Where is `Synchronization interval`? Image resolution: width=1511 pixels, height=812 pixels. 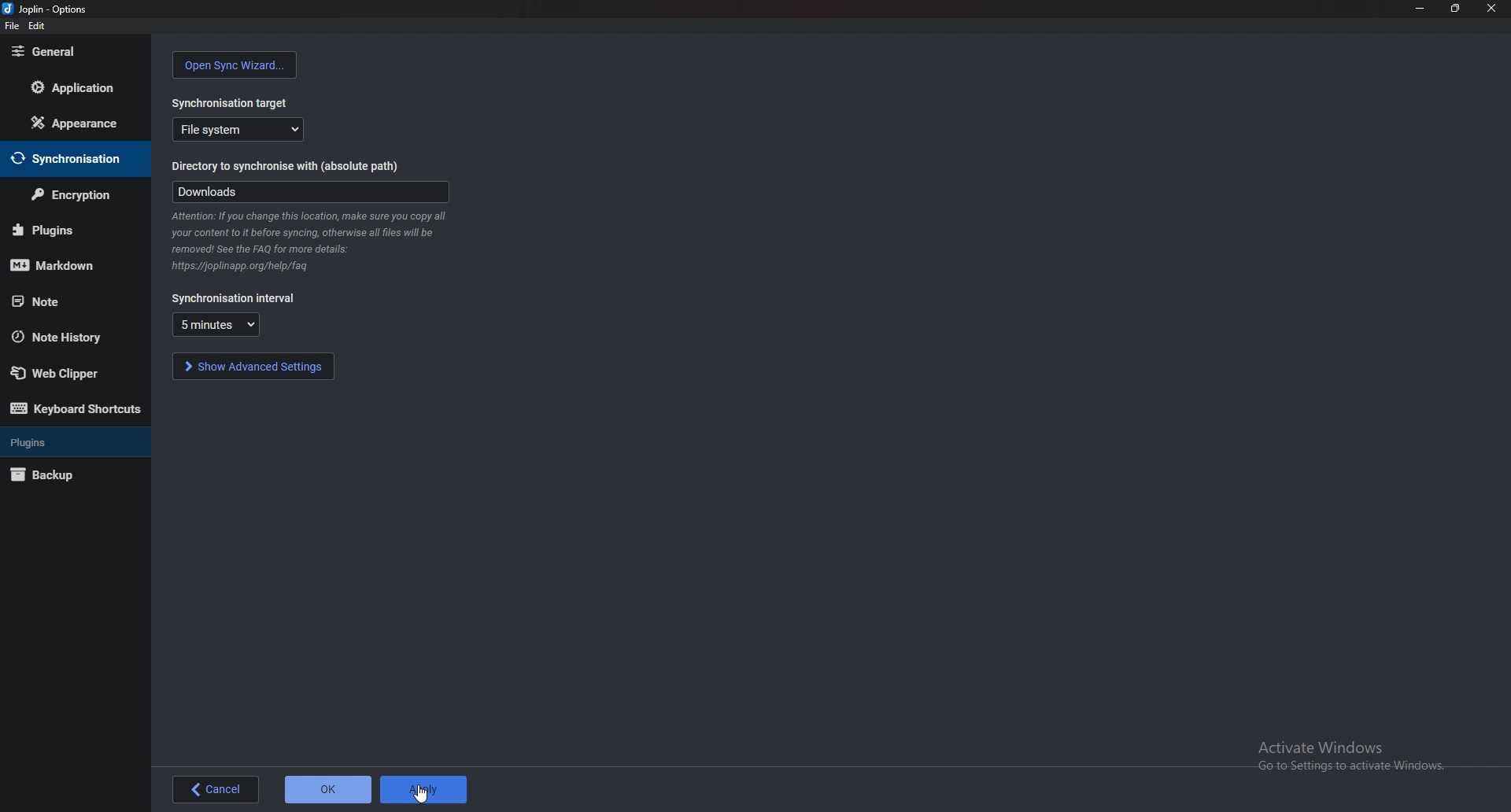
Synchronization interval is located at coordinates (235, 299).